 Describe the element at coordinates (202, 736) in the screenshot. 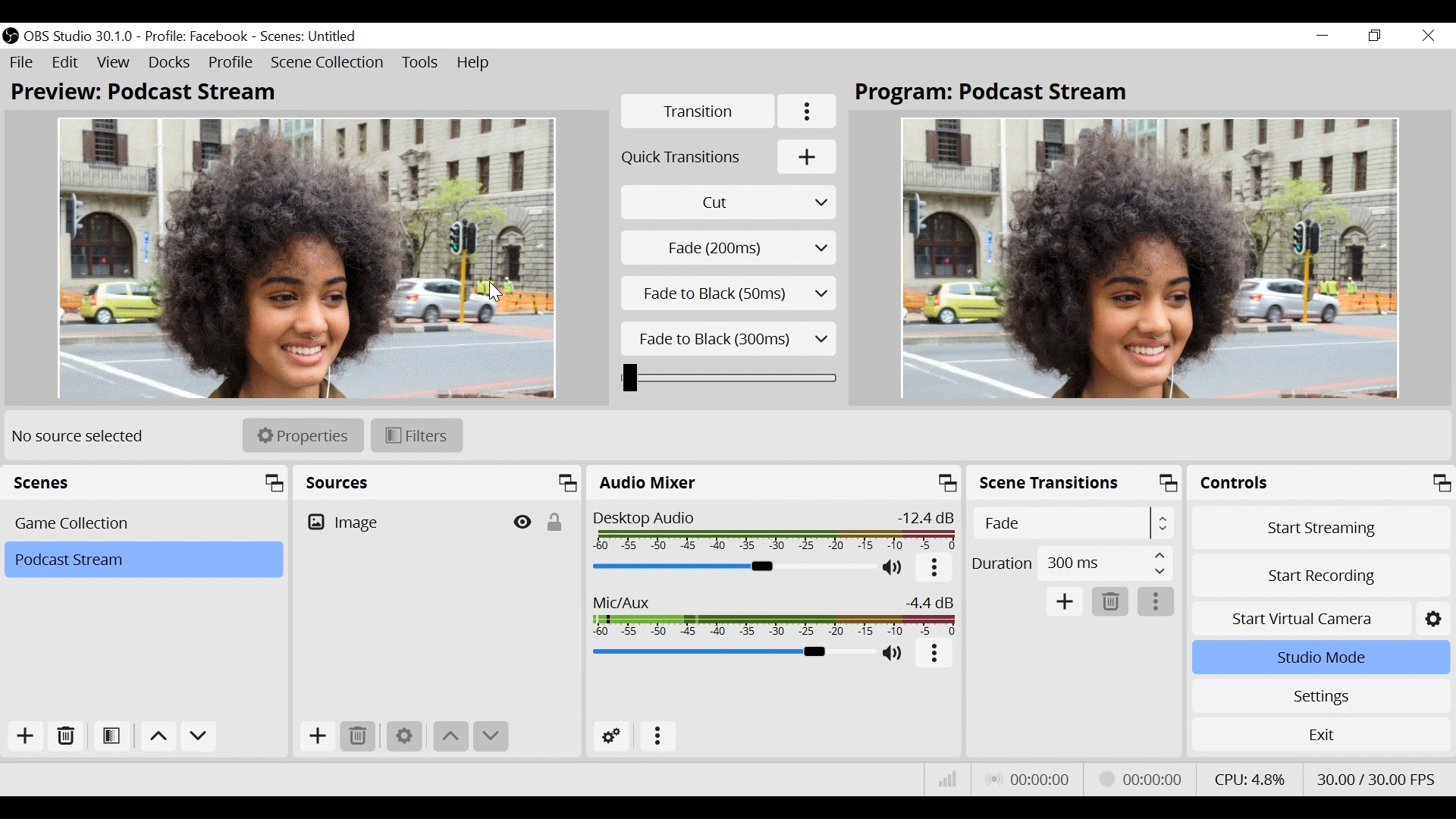

I see `Move down` at that location.